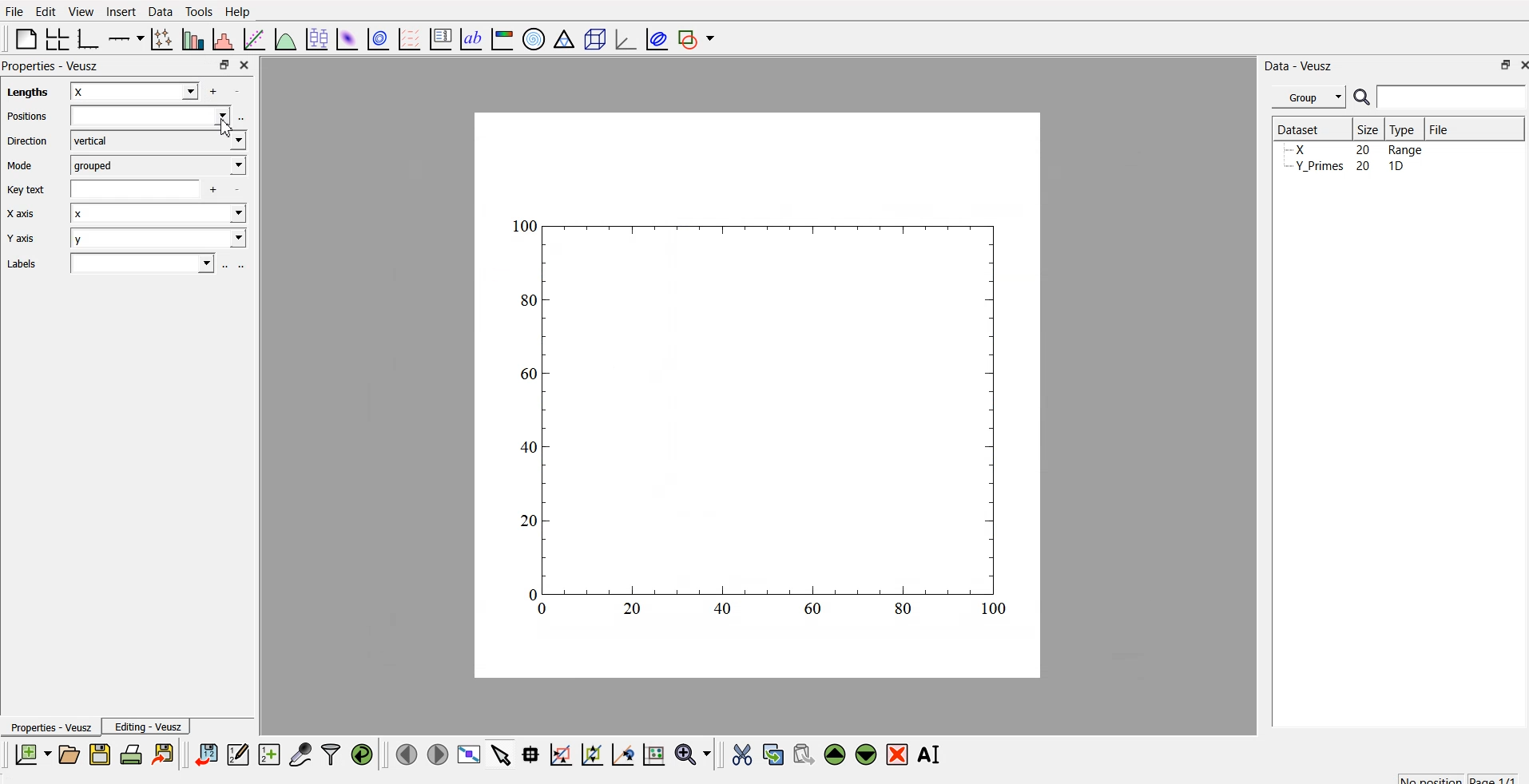  Describe the element at coordinates (129, 240) in the screenshot. I see `Y axis y` at that location.